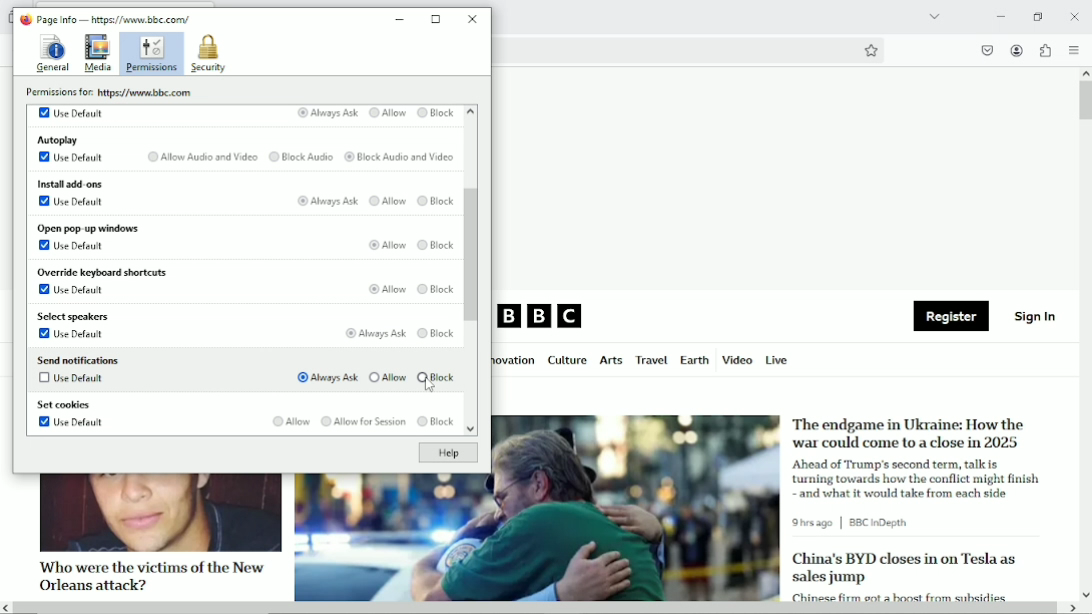  What do you see at coordinates (326, 113) in the screenshot?
I see `Always ask` at bounding box center [326, 113].